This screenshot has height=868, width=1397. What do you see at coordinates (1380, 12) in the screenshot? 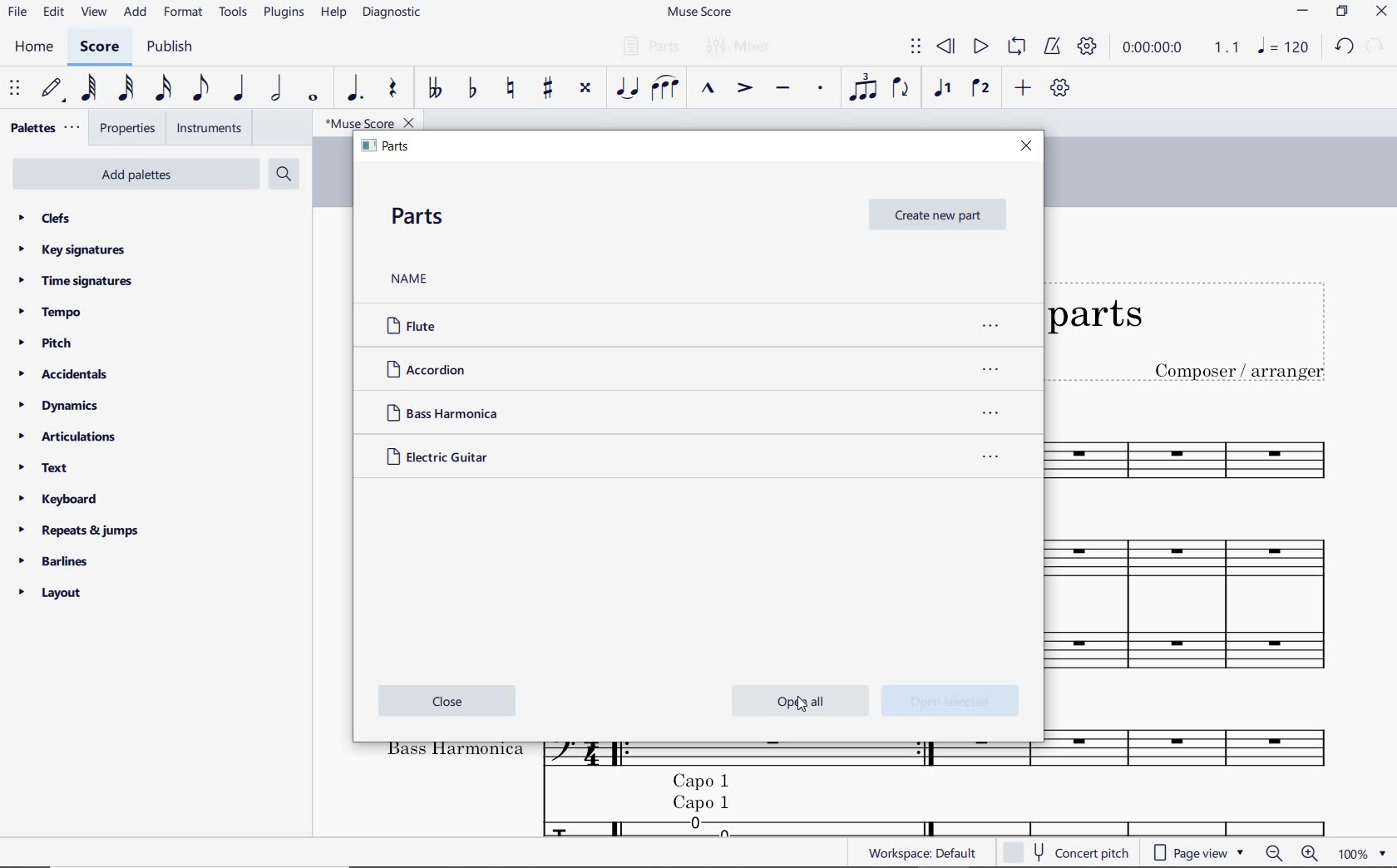
I see `CLOSE` at bounding box center [1380, 12].